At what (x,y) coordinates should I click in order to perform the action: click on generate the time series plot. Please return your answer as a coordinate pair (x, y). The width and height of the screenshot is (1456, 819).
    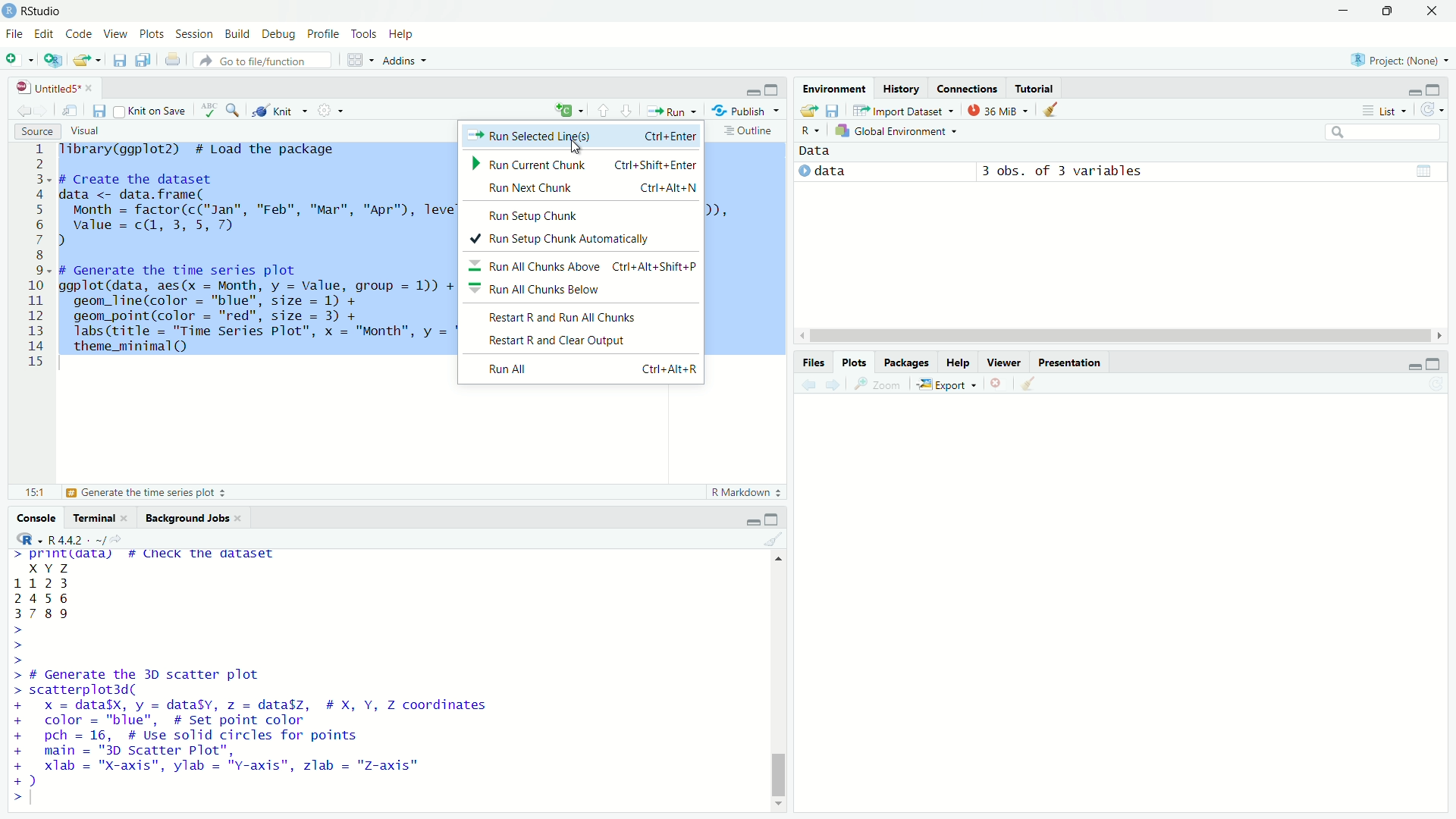
    Looking at the image, I should click on (152, 494).